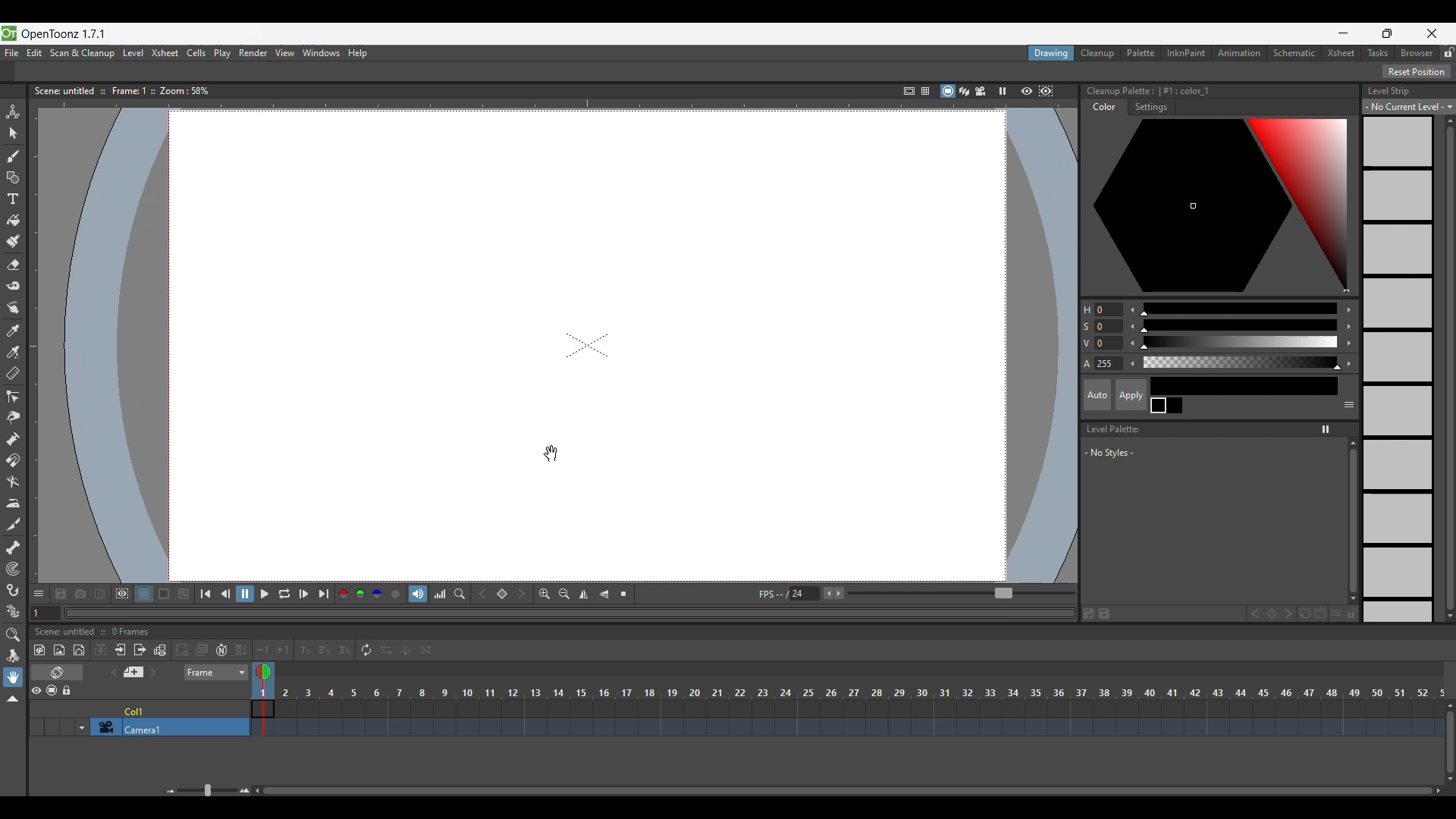 The image size is (1456, 819). Describe the element at coordinates (522, 594) in the screenshot. I see `Next key` at that location.